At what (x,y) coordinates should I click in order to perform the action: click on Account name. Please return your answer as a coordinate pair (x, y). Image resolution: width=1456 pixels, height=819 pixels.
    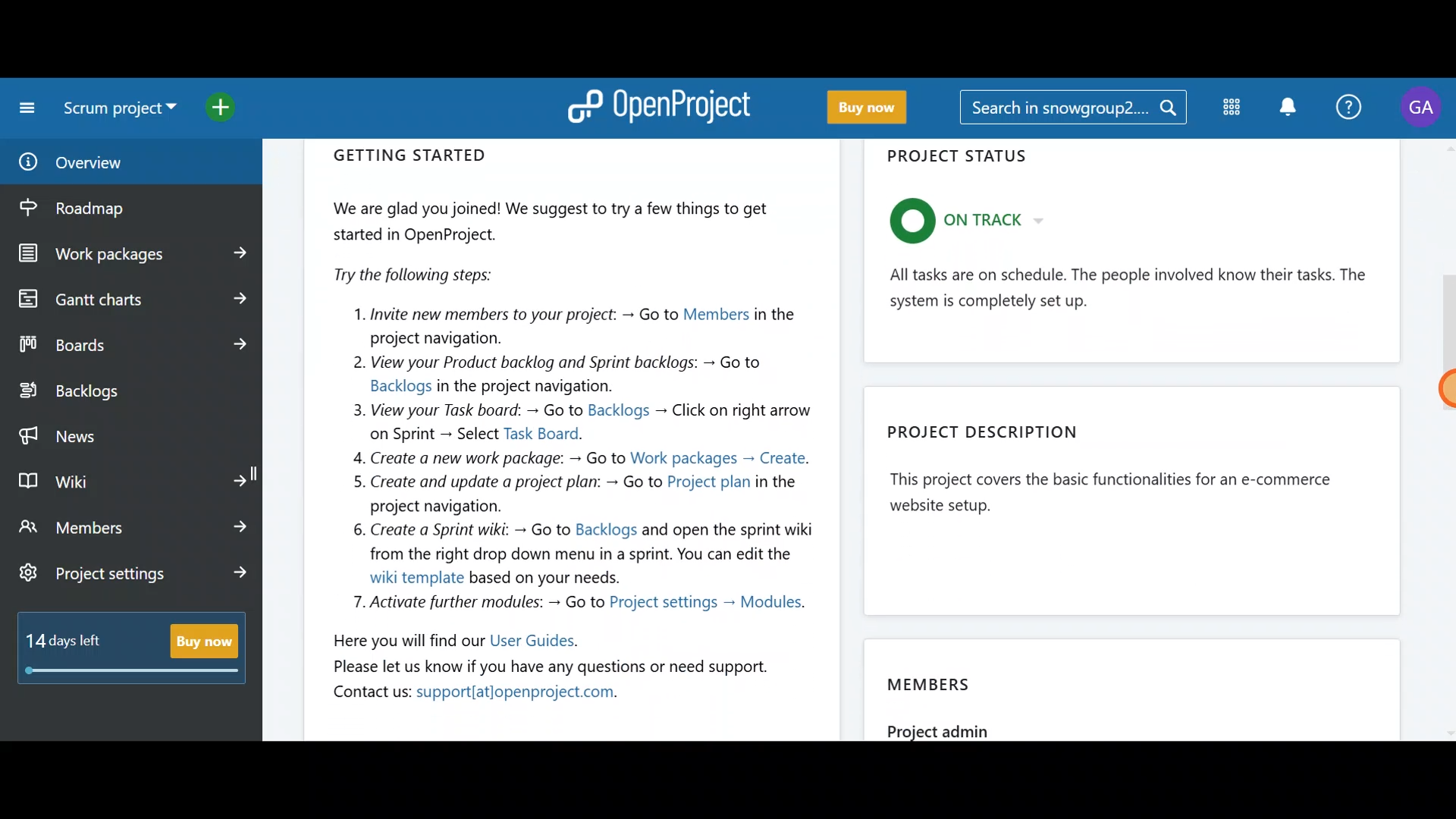
    Looking at the image, I should click on (1424, 108).